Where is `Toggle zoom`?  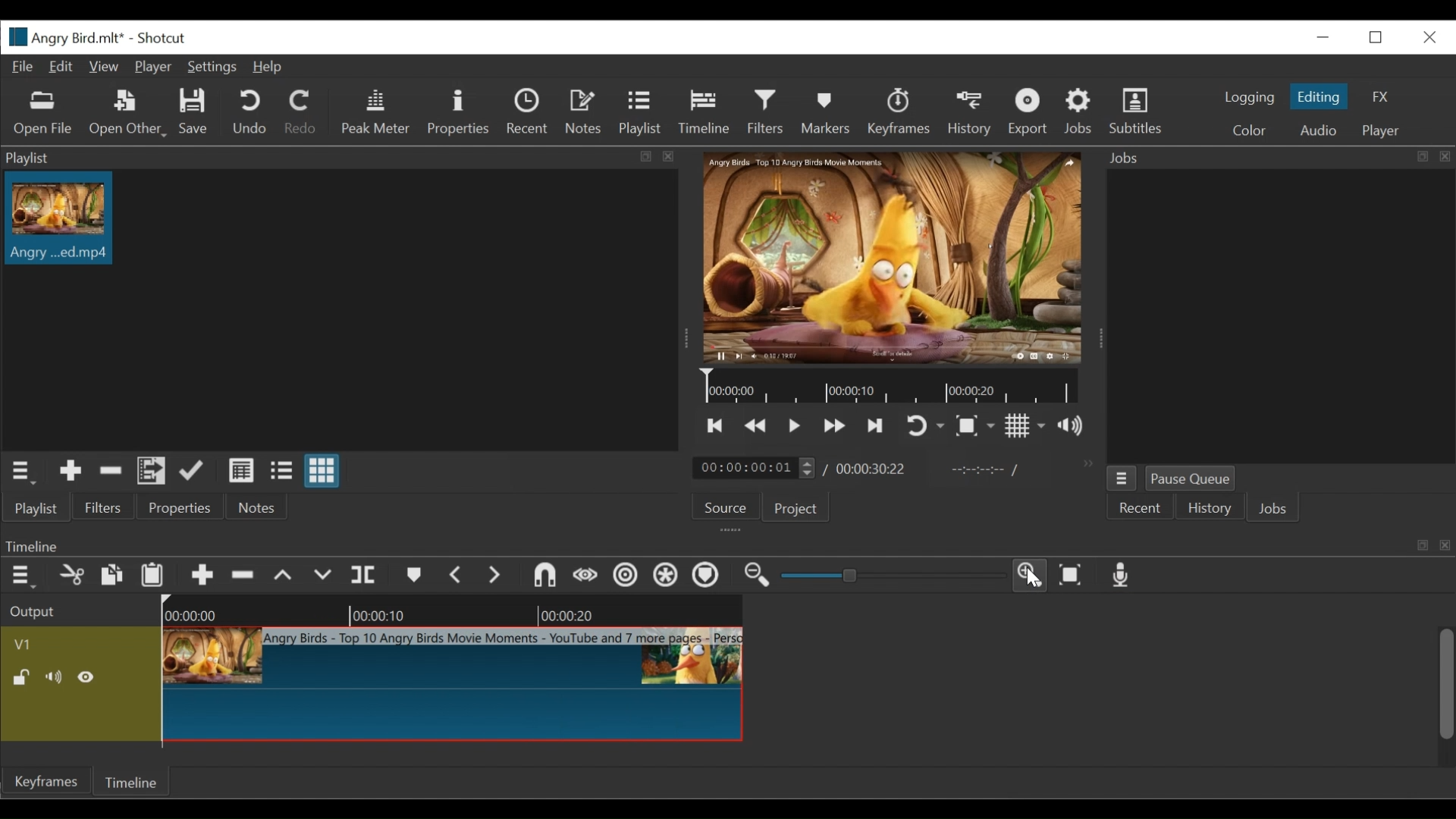 Toggle zoom is located at coordinates (974, 425).